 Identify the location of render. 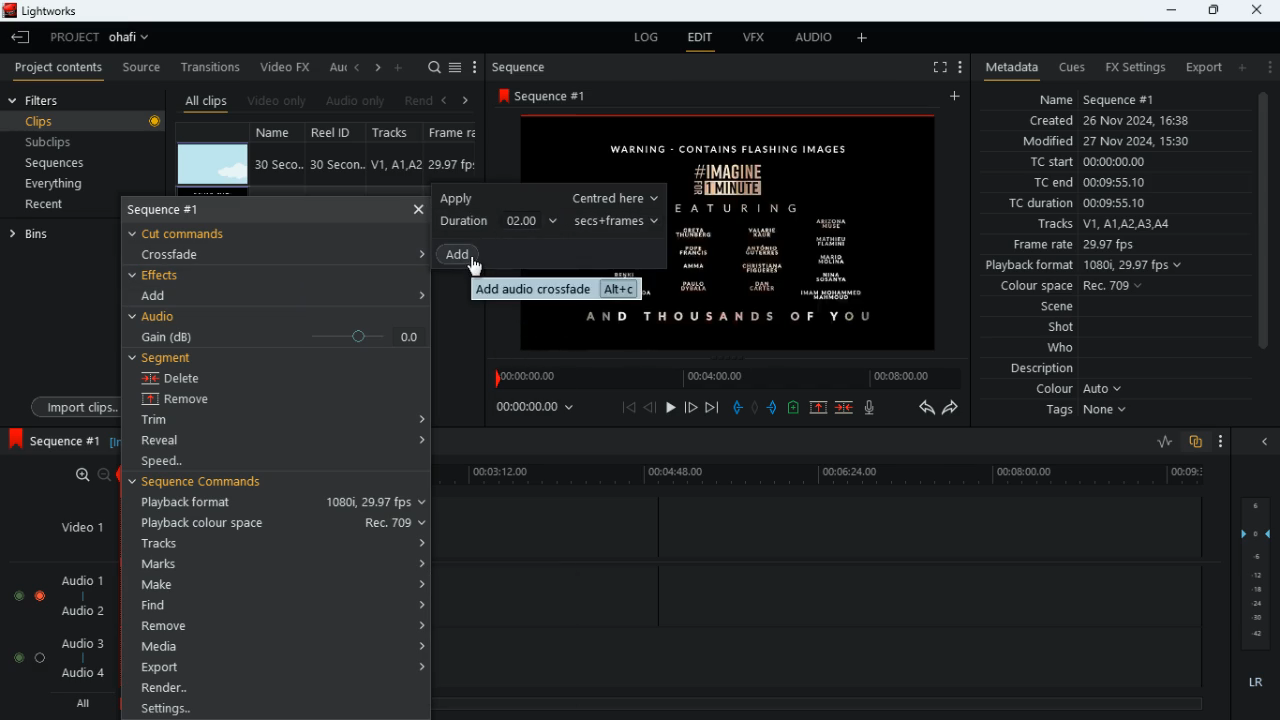
(281, 688).